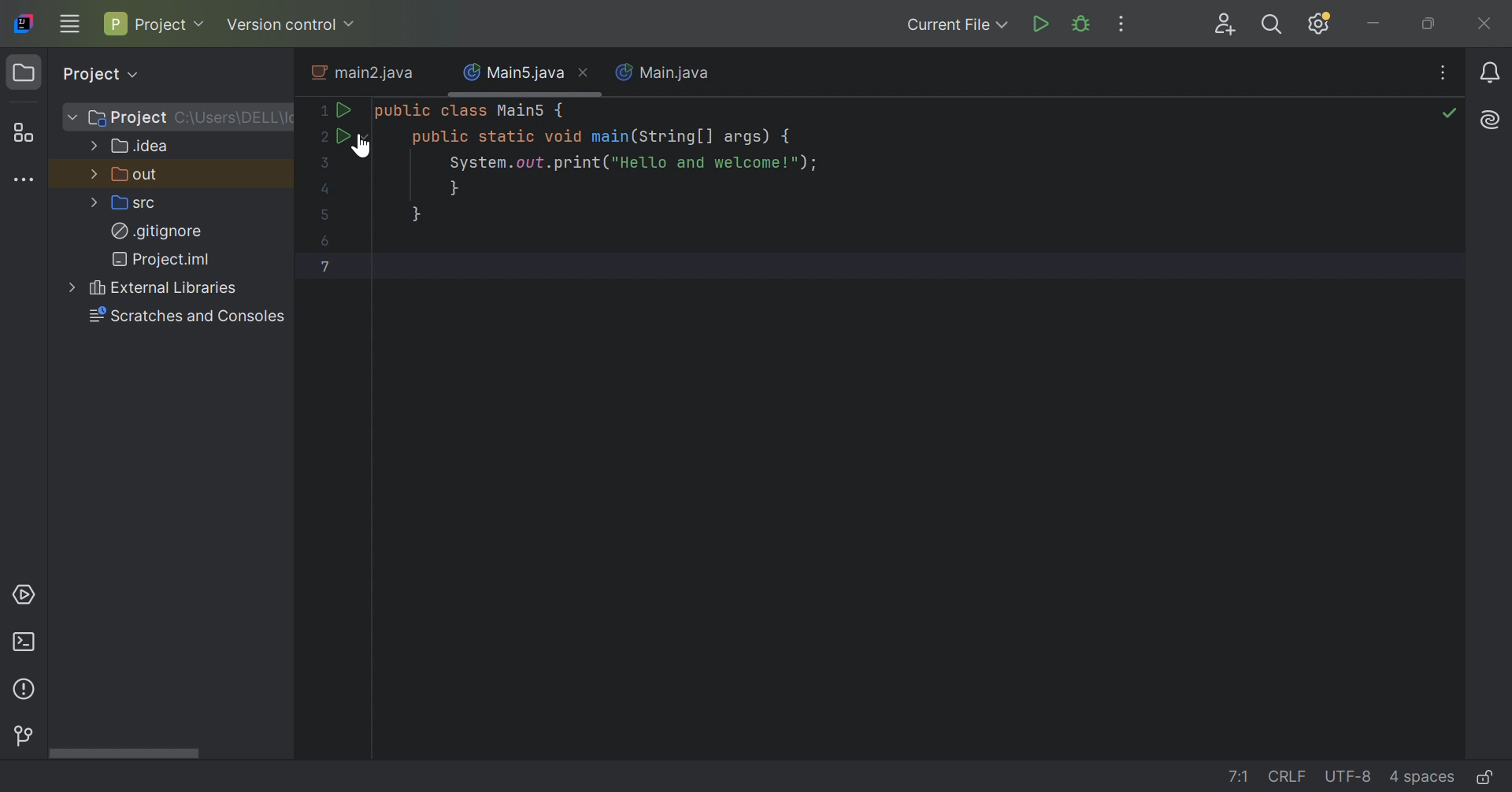 This screenshot has height=792, width=1512. What do you see at coordinates (347, 112) in the screenshot?
I see `Run` at bounding box center [347, 112].